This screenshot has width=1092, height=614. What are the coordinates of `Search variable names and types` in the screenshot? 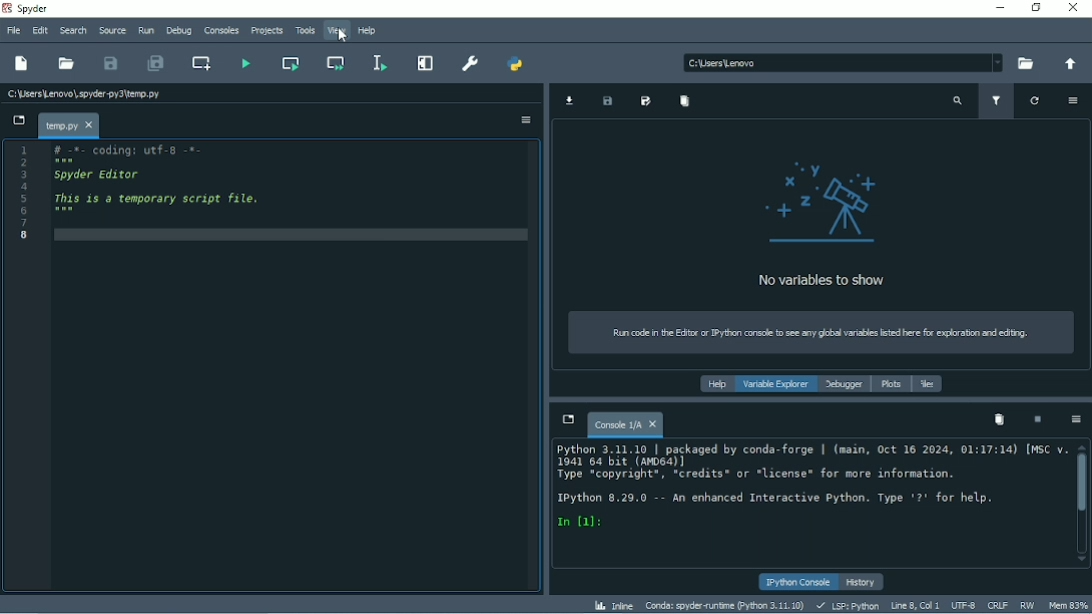 It's located at (957, 102).